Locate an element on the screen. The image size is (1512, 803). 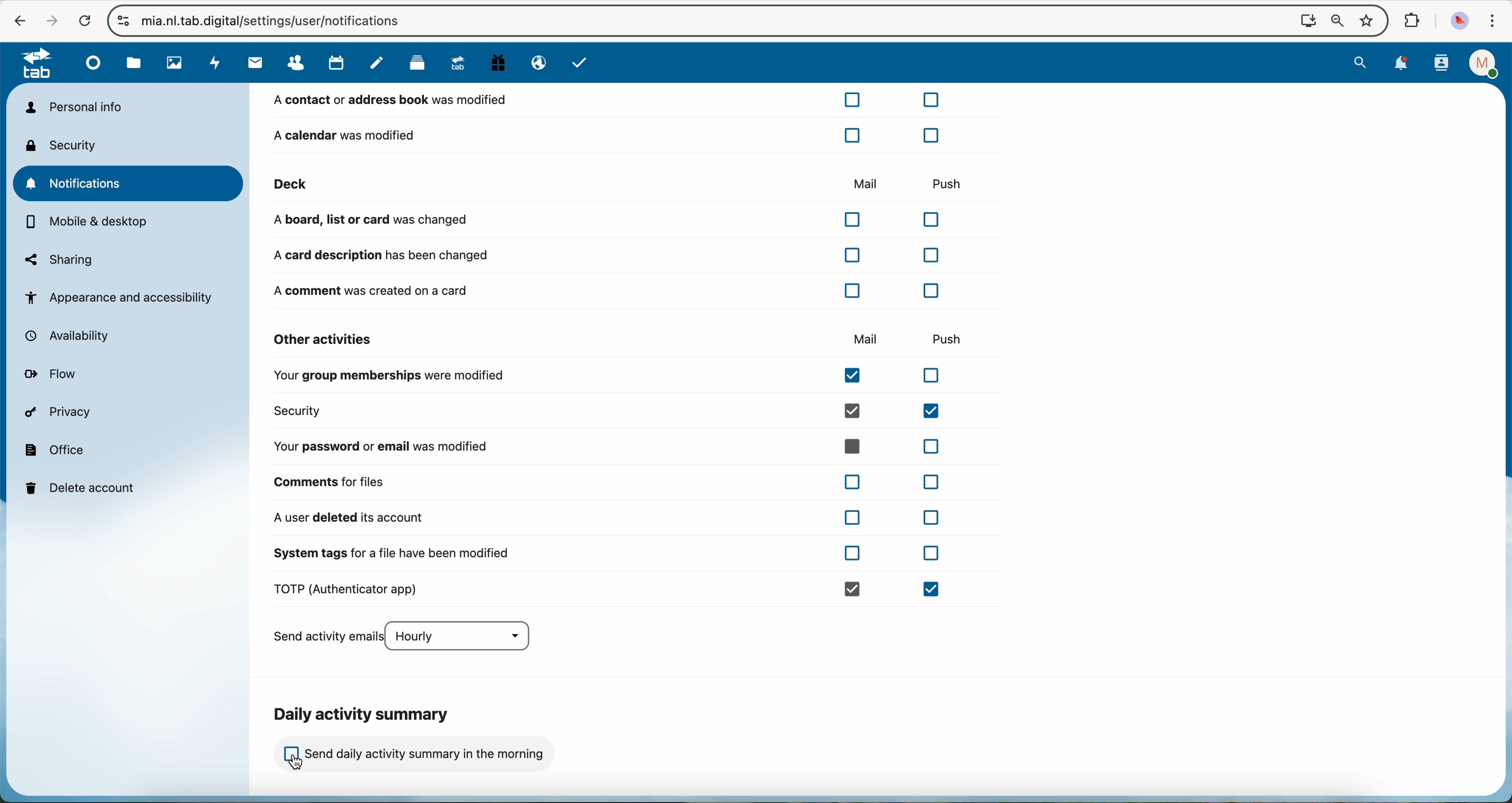
extensions is located at coordinates (1412, 21).